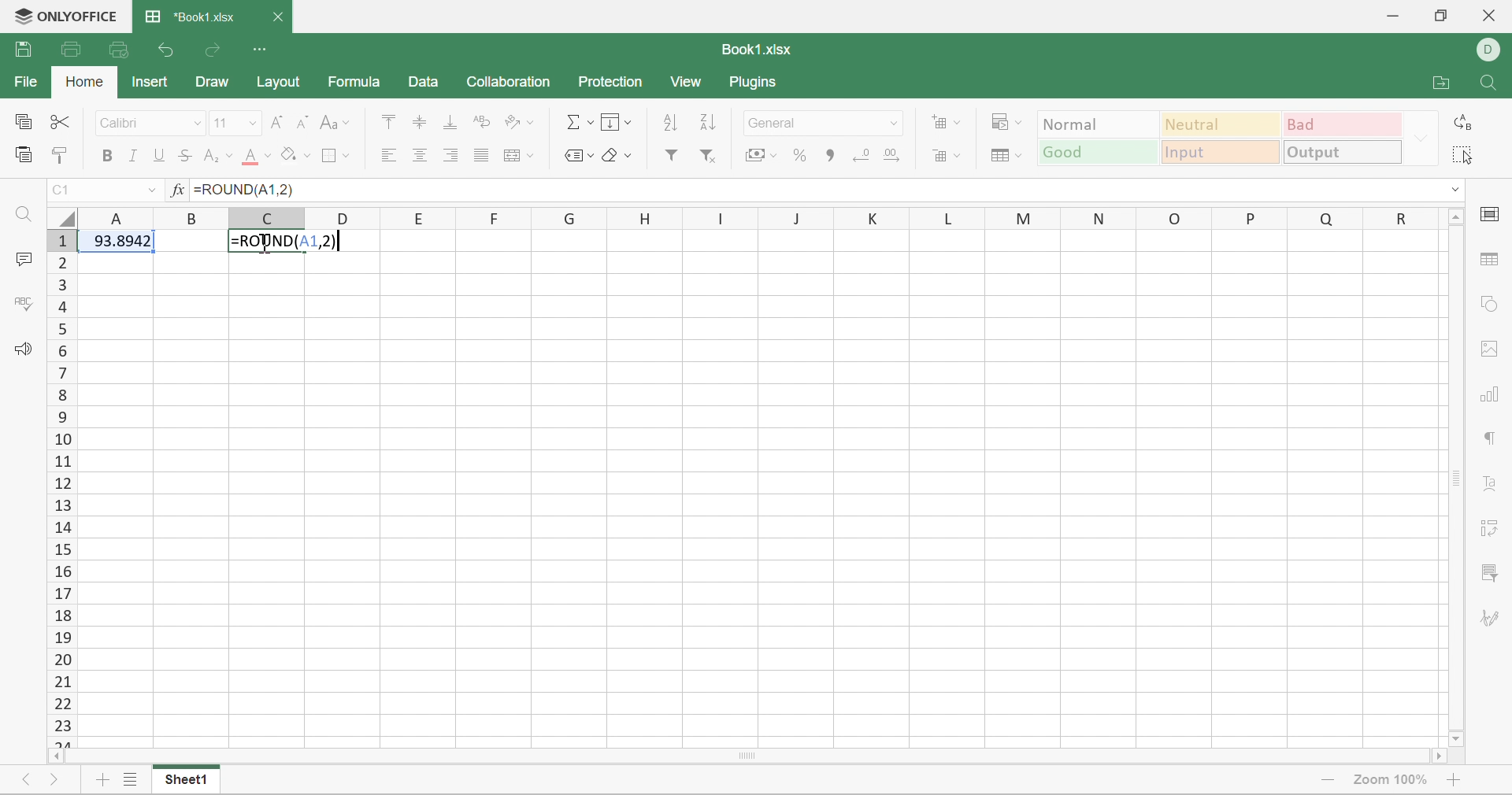  I want to click on Scroll Up, so click(1455, 217).